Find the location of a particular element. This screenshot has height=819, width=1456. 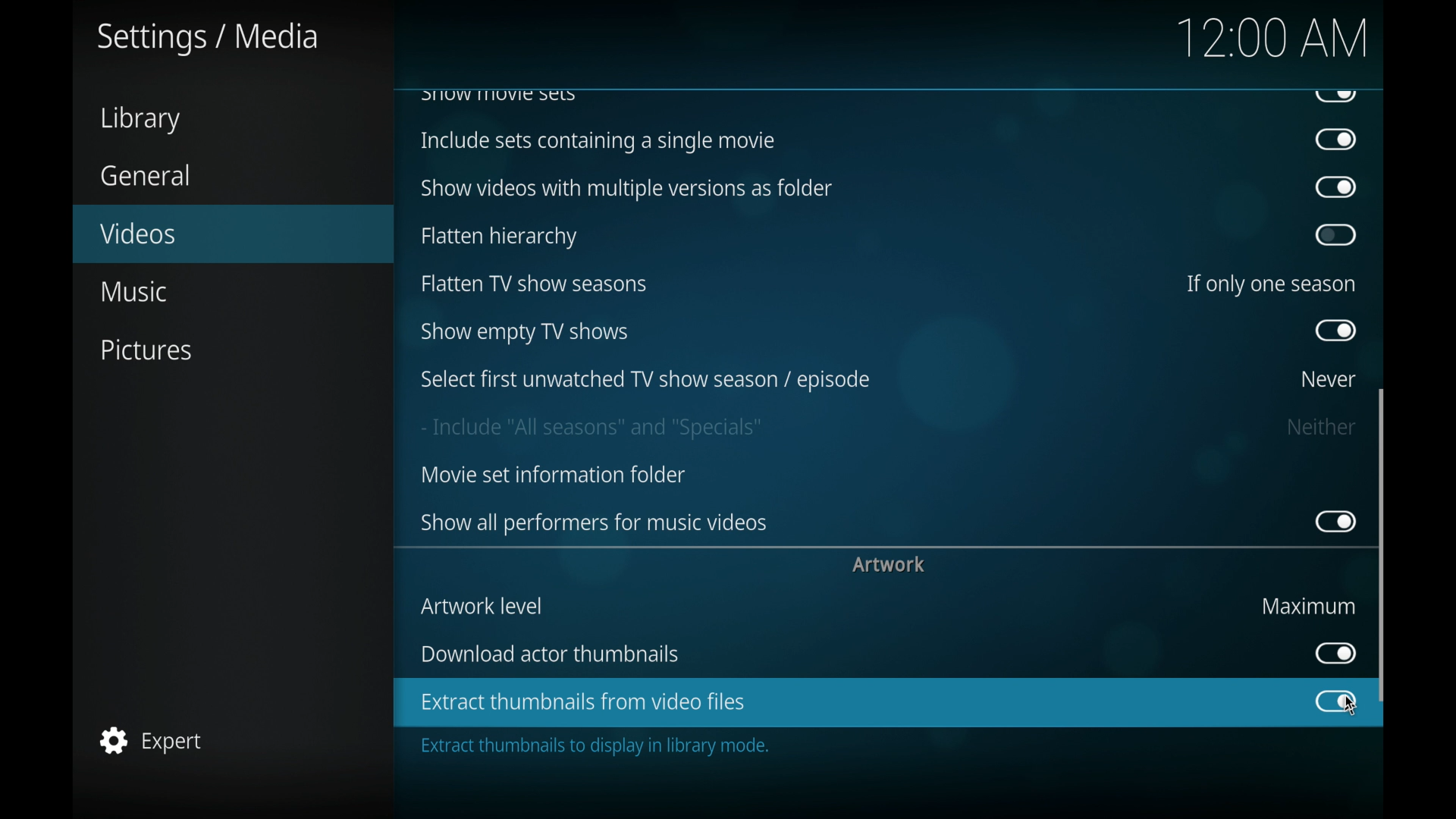

expert is located at coordinates (151, 739).